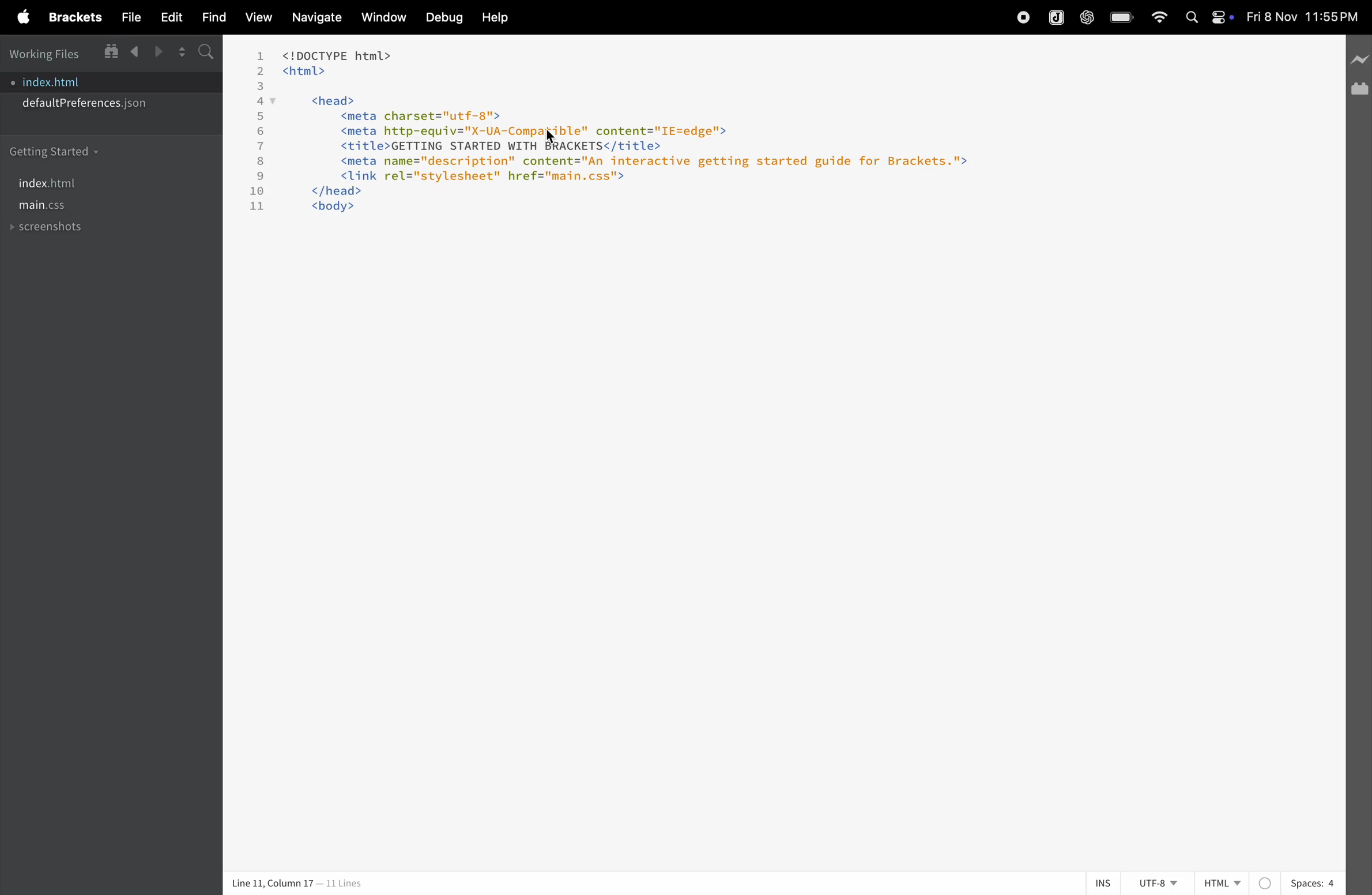 This screenshot has width=1372, height=895. What do you see at coordinates (110, 52) in the screenshot?
I see `show in file tree` at bounding box center [110, 52].